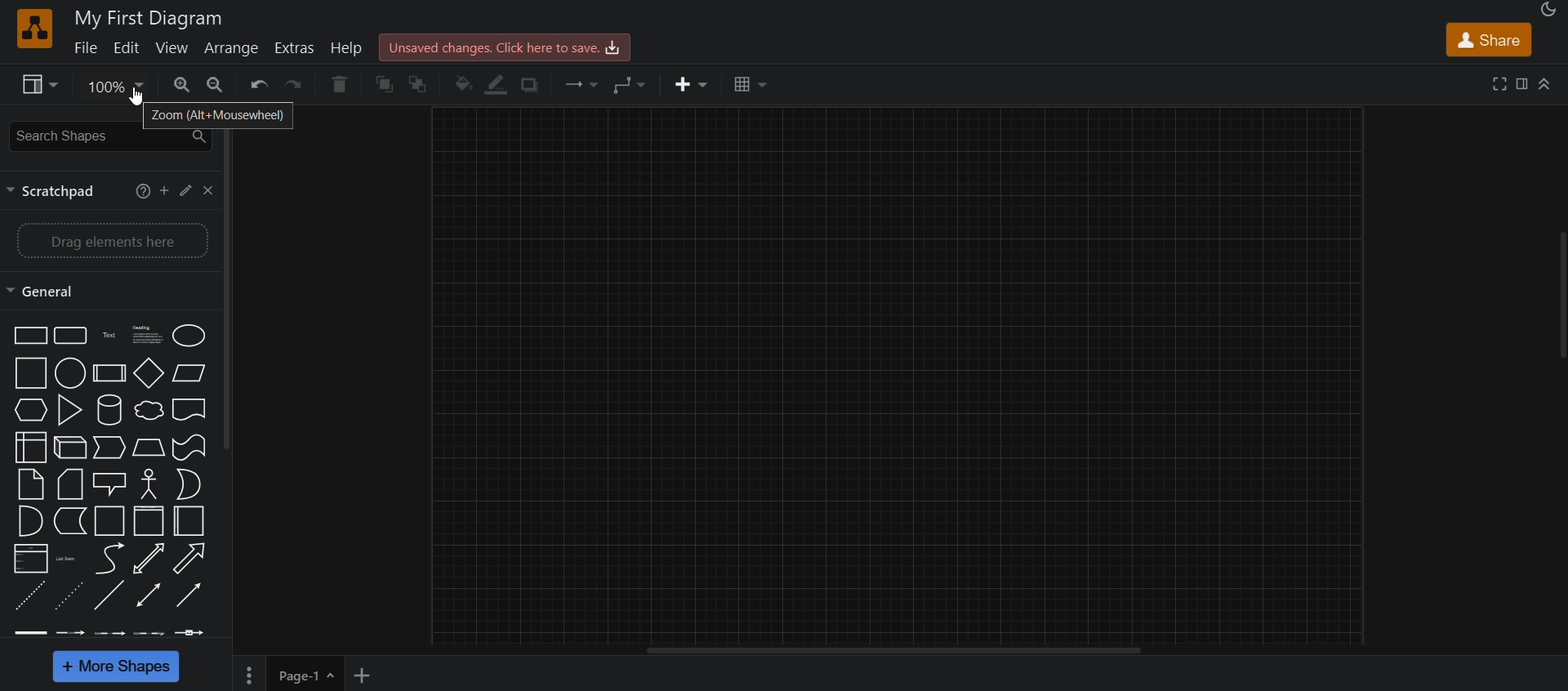 The image size is (1568, 691). What do you see at coordinates (51, 192) in the screenshot?
I see `scratchpad` at bounding box center [51, 192].